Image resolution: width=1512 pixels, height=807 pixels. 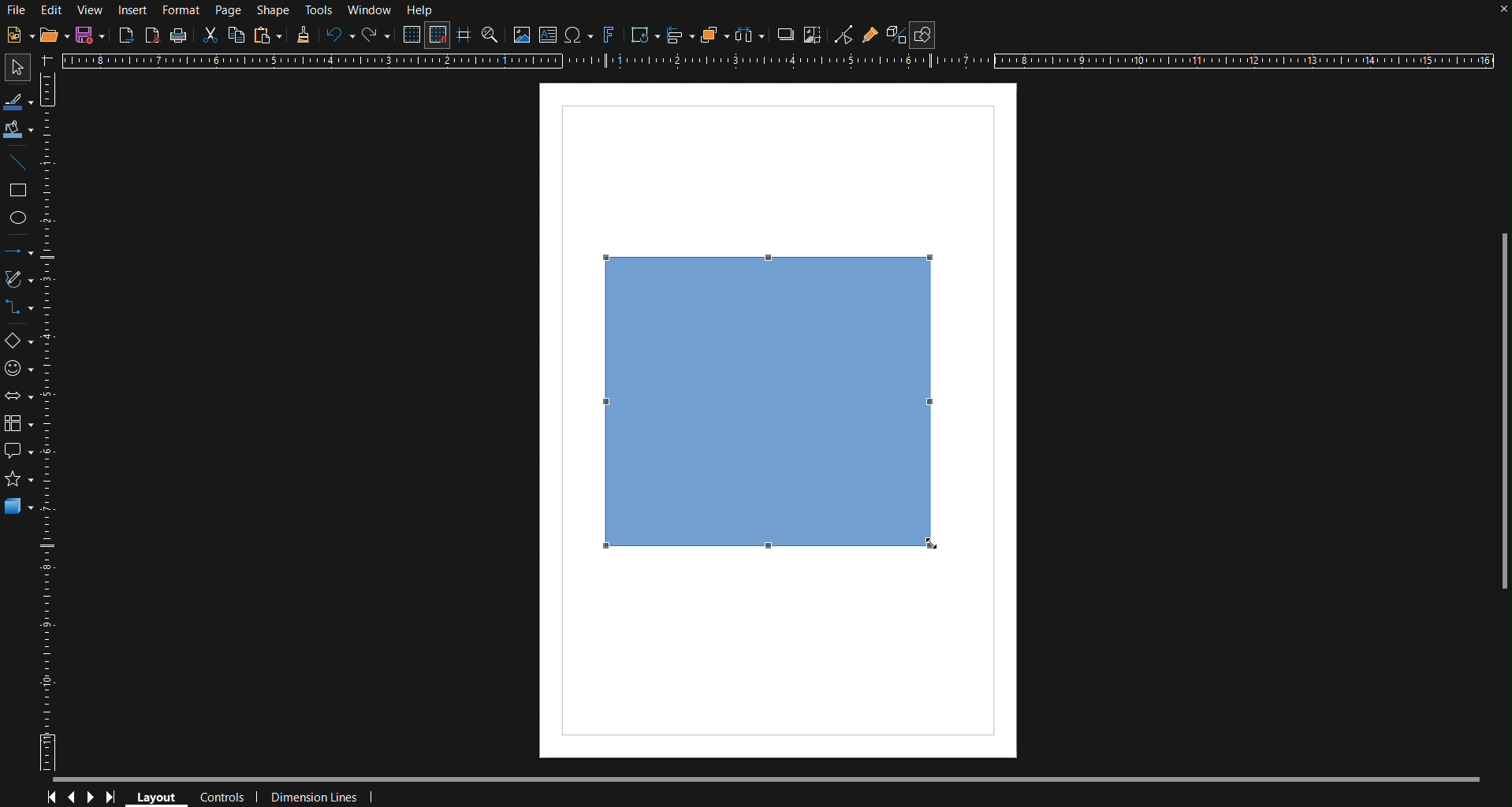 What do you see at coordinates (71, 798) in the screenshot?
I see `Previous Page` at bounding box center [71, 798].